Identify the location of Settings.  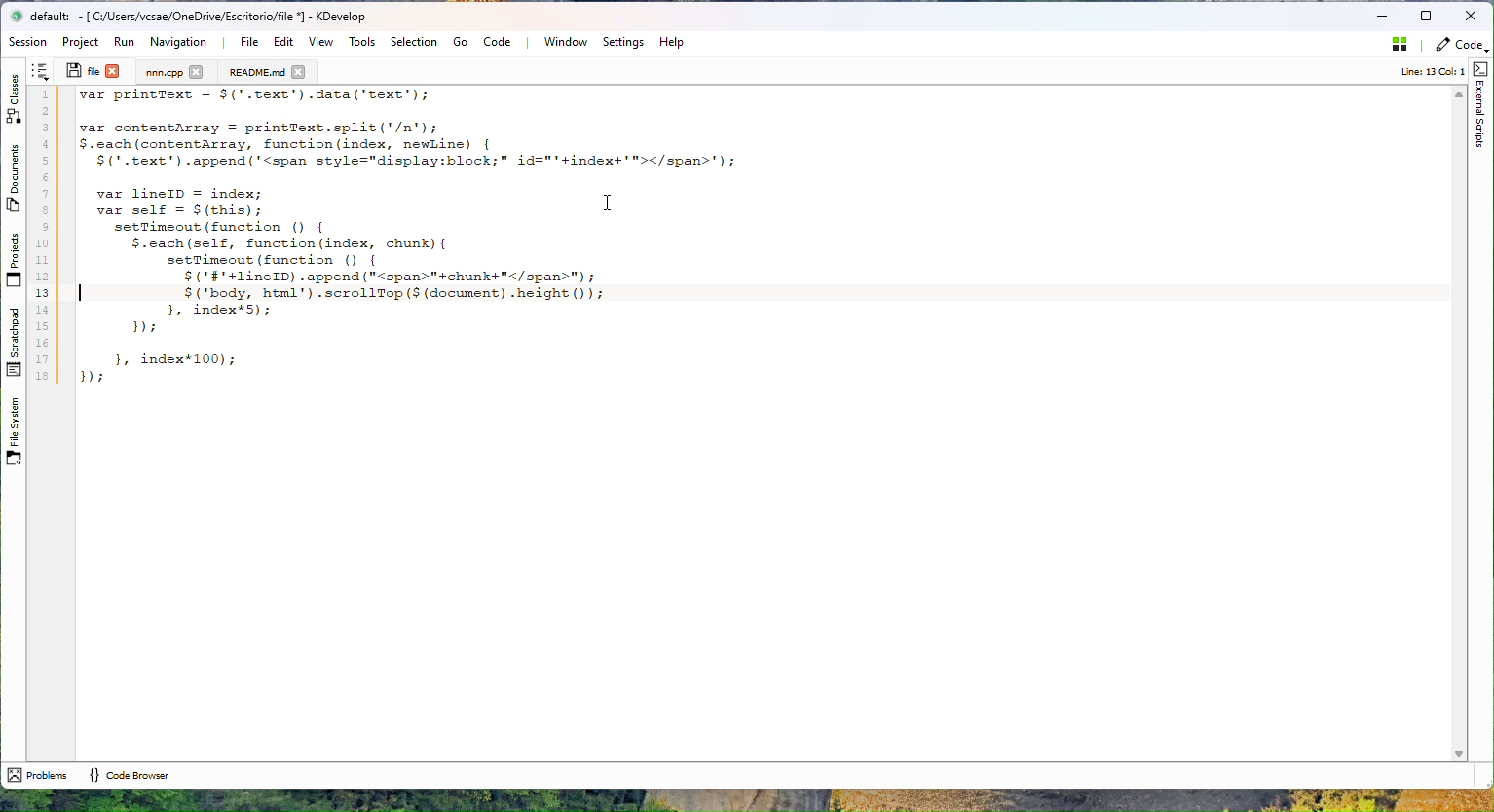
(622, 42).